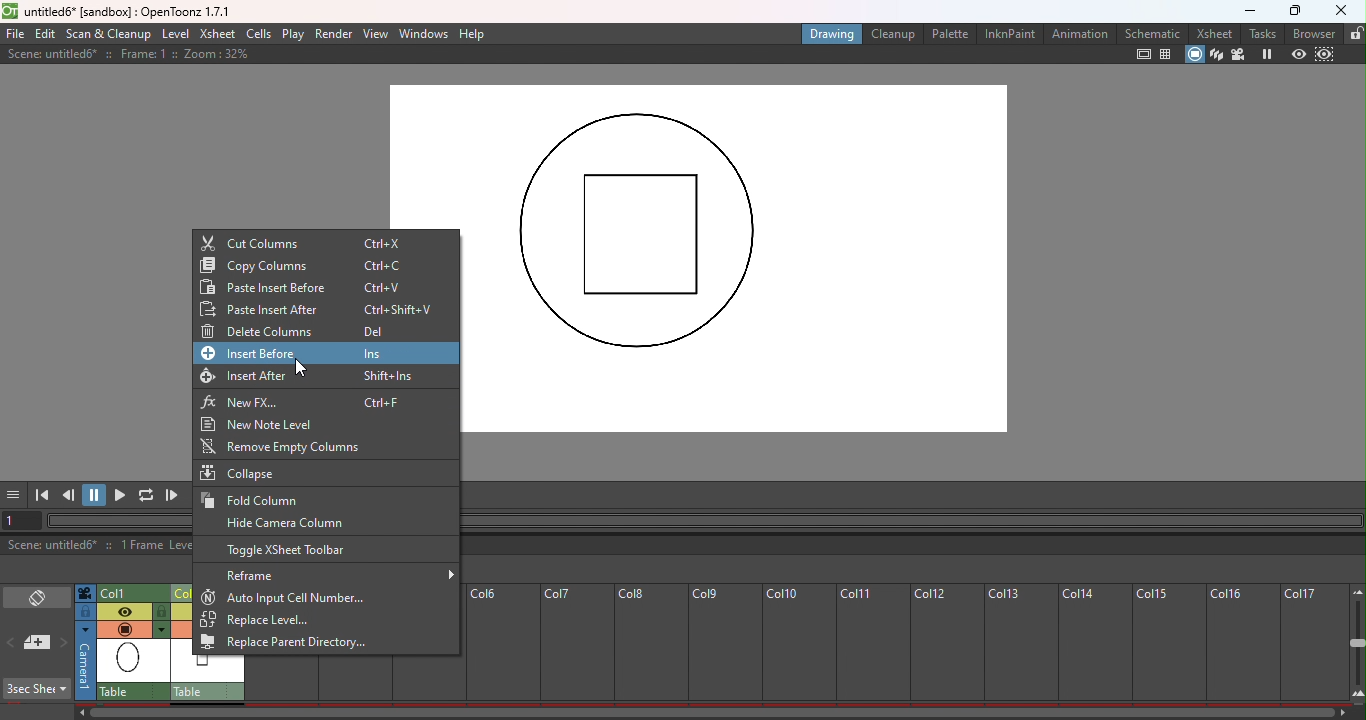 The width and height of the screenshot is (1366, 720). I want to click on File, so click(16, 33).